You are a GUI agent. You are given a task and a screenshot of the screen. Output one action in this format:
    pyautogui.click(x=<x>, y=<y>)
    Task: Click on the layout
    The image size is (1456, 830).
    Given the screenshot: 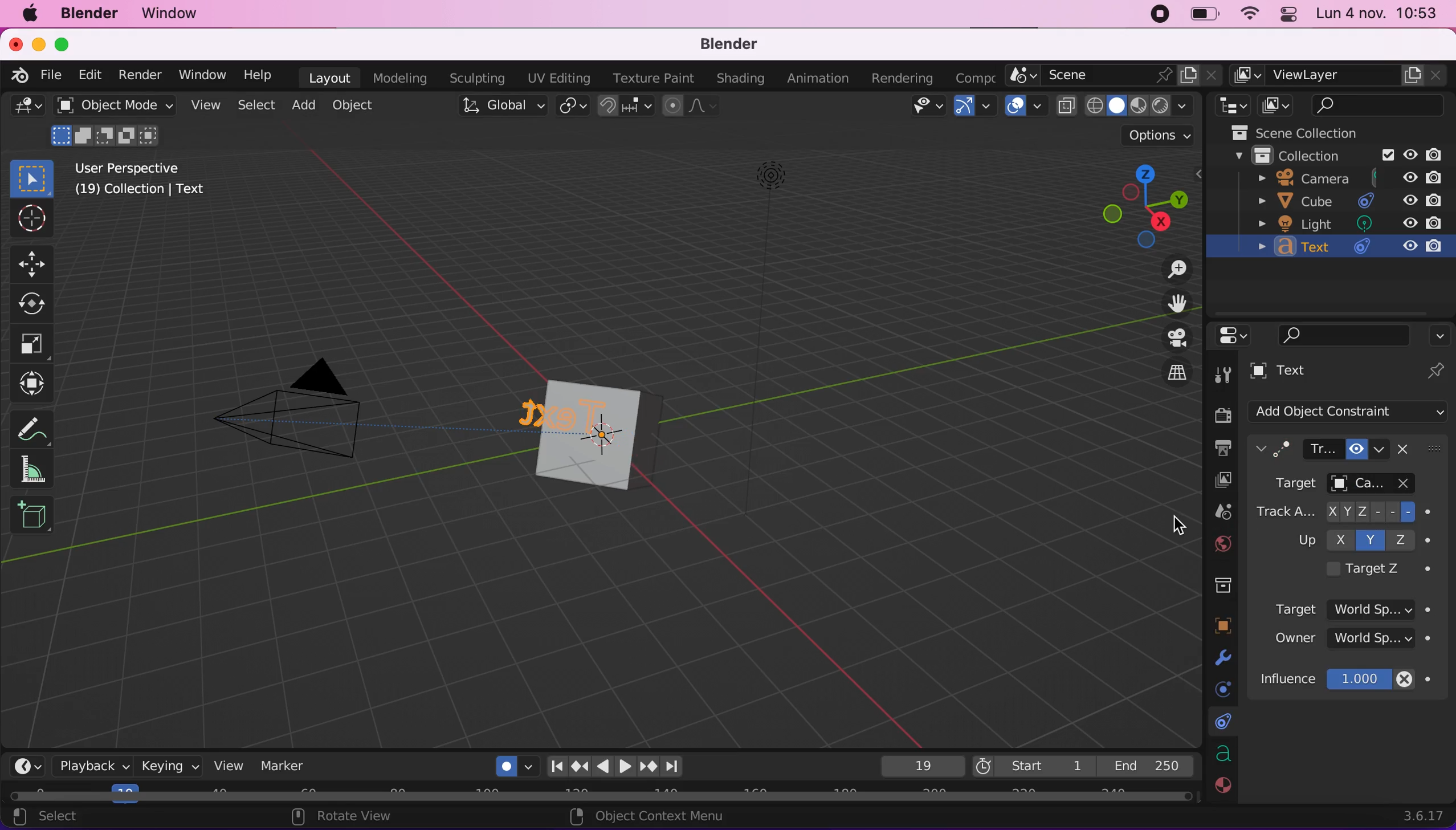 What is the action you would take?
    pyautogui.click(x=331, y=76)
    